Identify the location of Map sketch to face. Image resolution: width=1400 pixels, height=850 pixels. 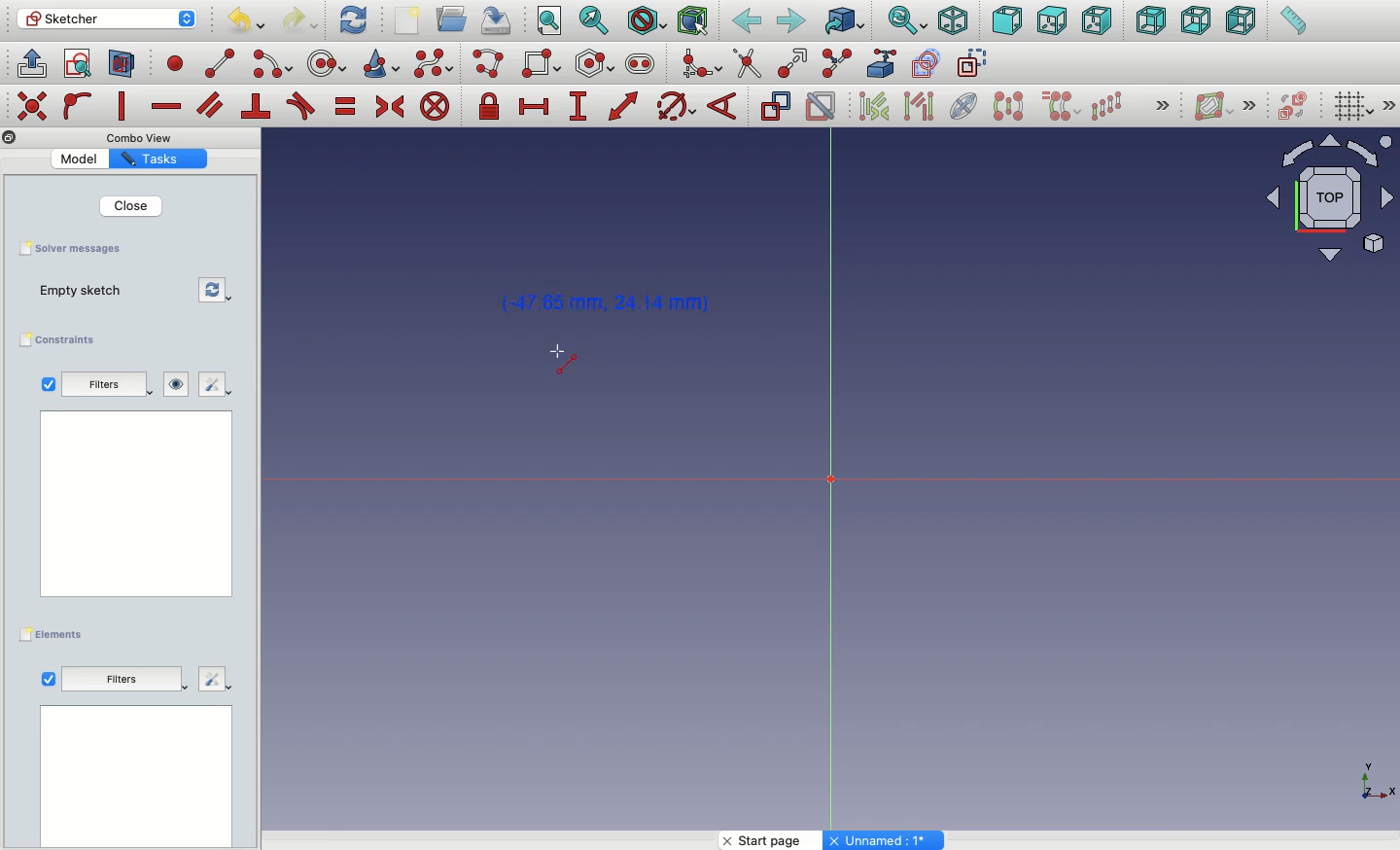
(122, 64).